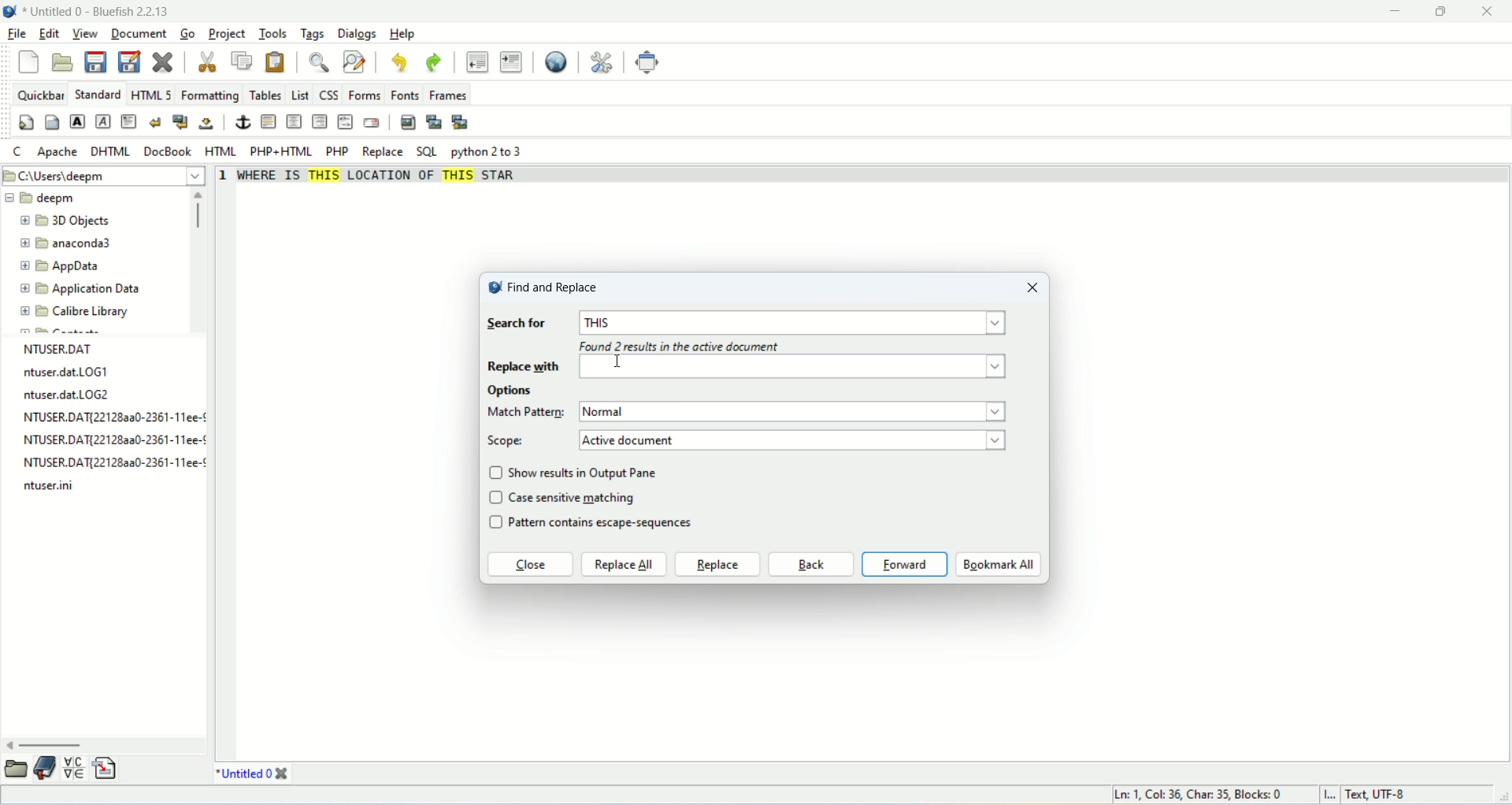  Describe the element at coordinates (510, 61) in the screenshot. I see `indent` at that location.